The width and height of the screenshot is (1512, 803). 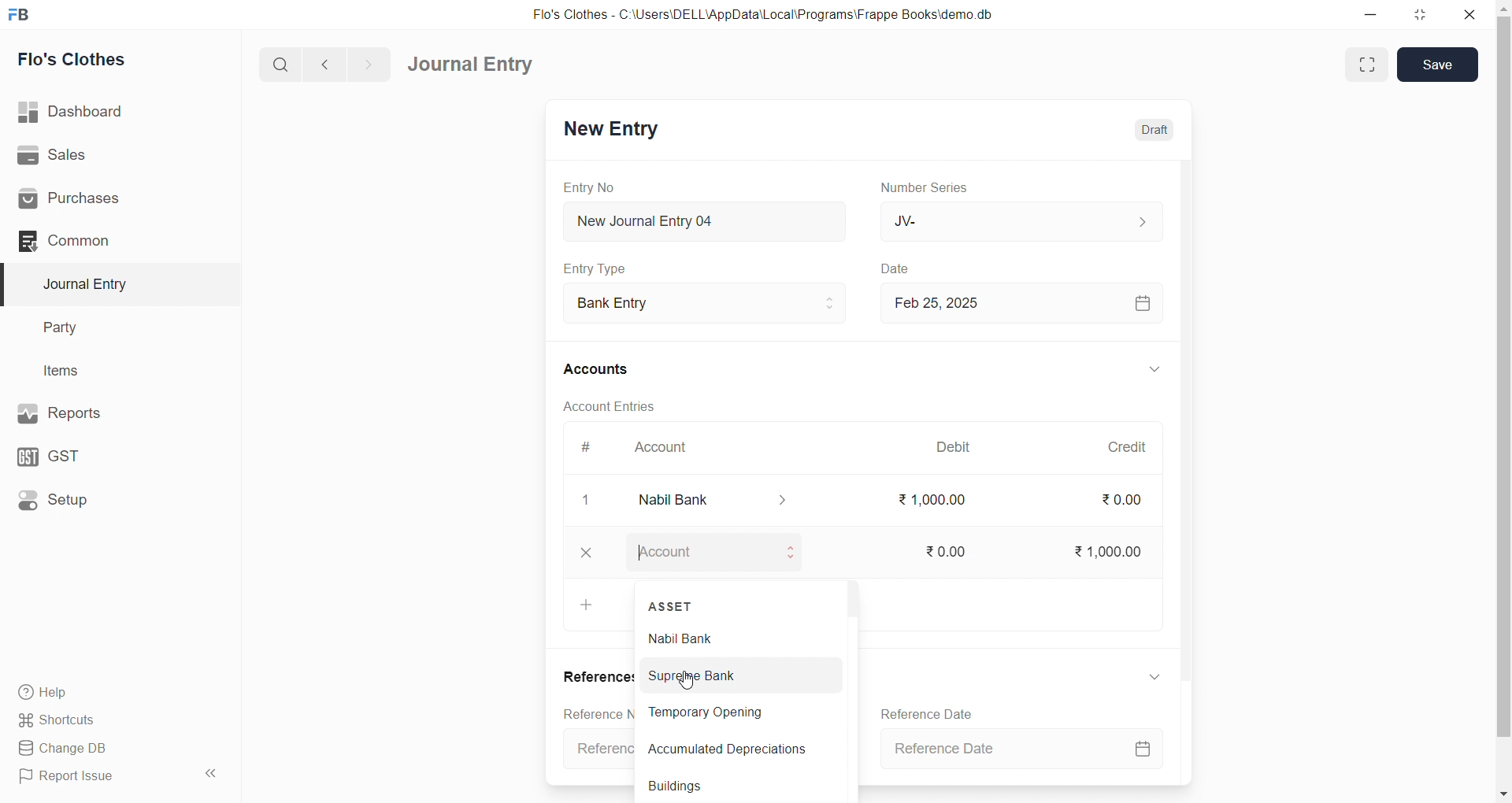 I want to click on Number Series, so click(x=936, y=187).